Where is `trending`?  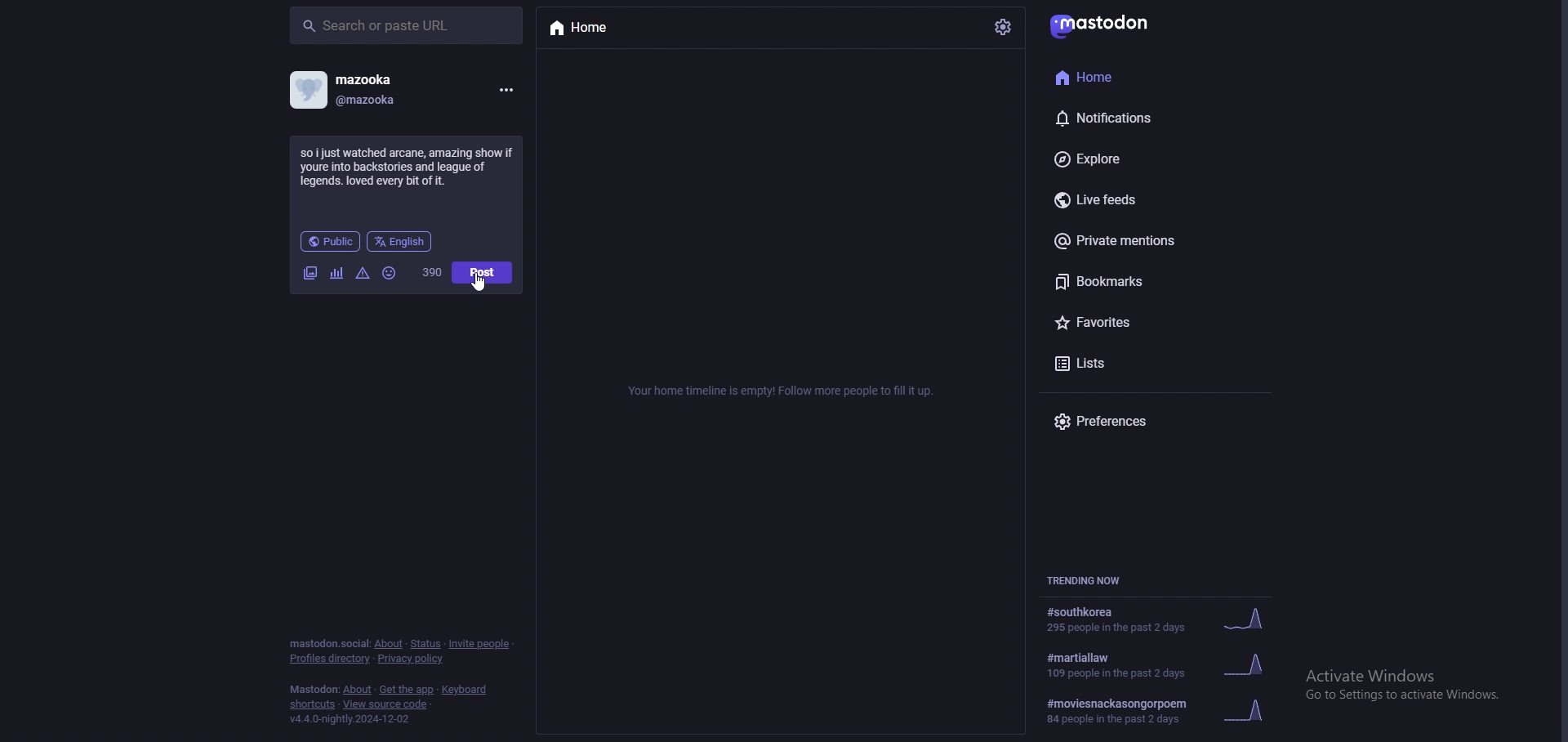
trending is located at coordinates (1158, 619).